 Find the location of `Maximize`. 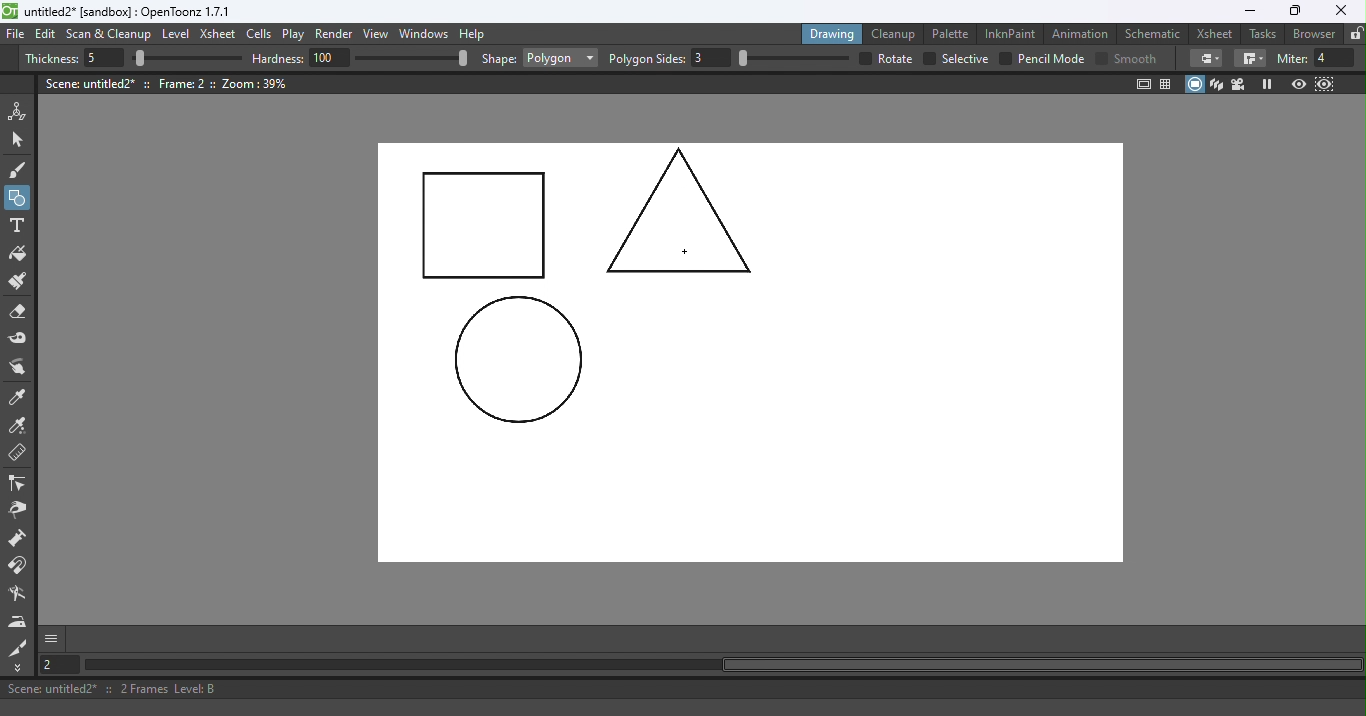

Maximize is located at coordinates (1292, 12).